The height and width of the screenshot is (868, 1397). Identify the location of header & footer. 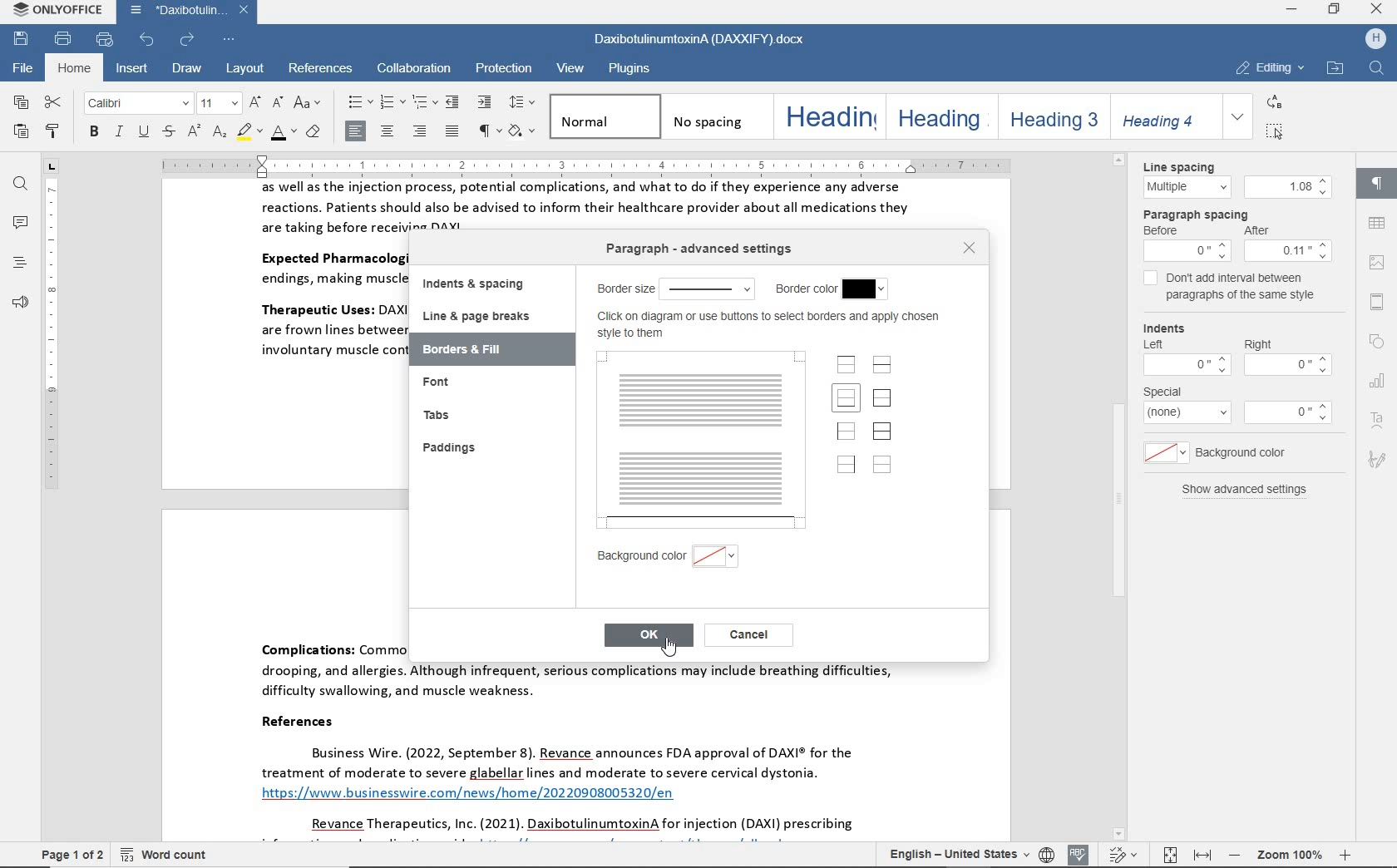
(1376, 302).